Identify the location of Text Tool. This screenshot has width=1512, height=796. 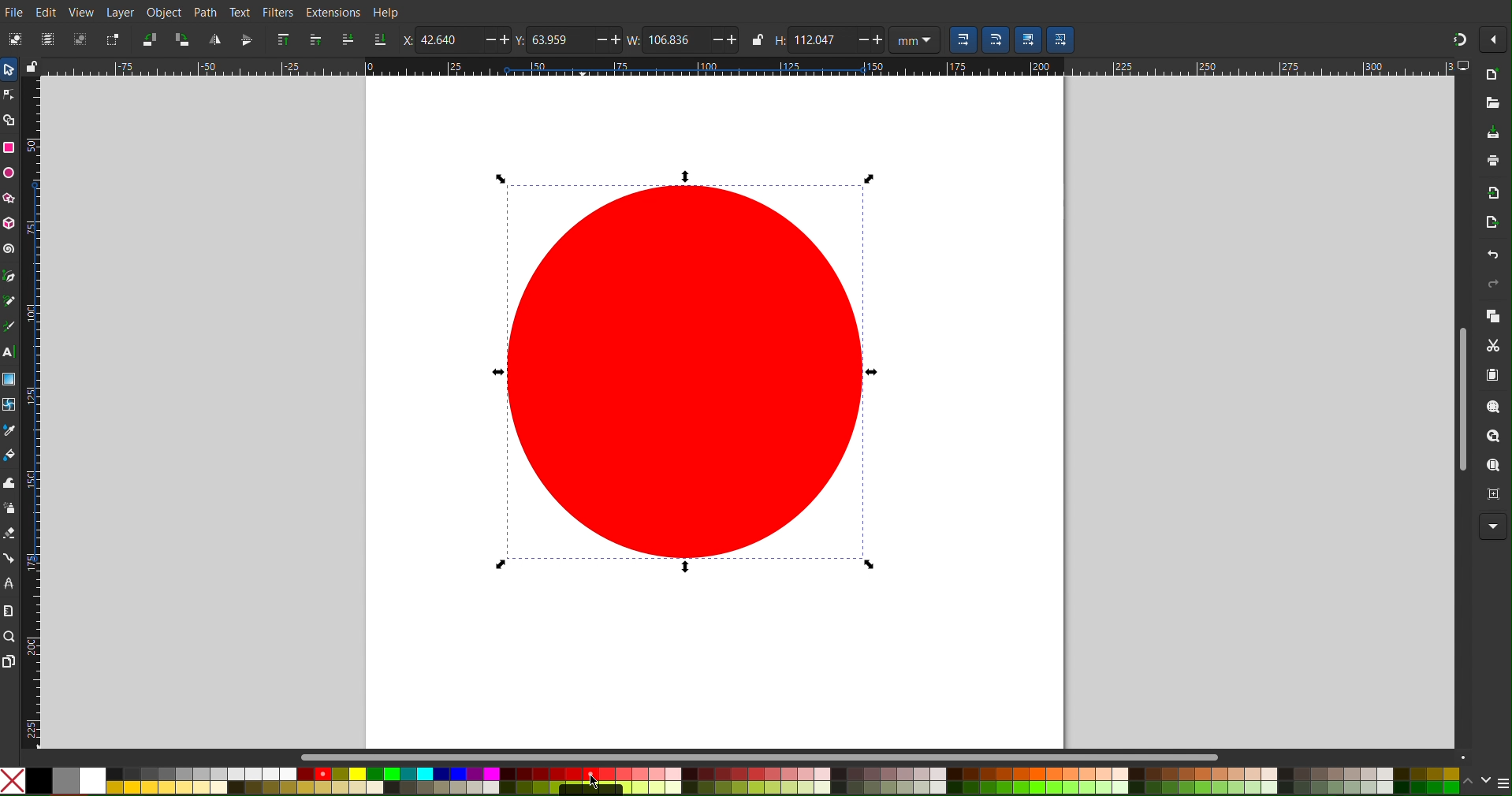
(10, 352).